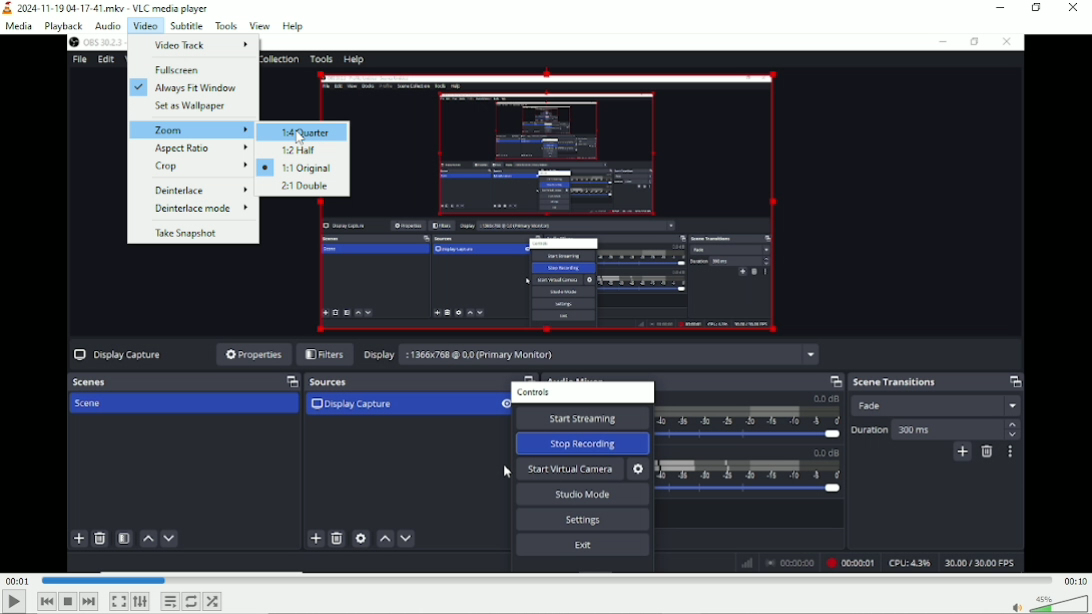 This screenshot has height=614, width=1092. What do you see at coordinates (63, 27) in the screenshot?
I see `Playback` at bounding box center [63, 27].